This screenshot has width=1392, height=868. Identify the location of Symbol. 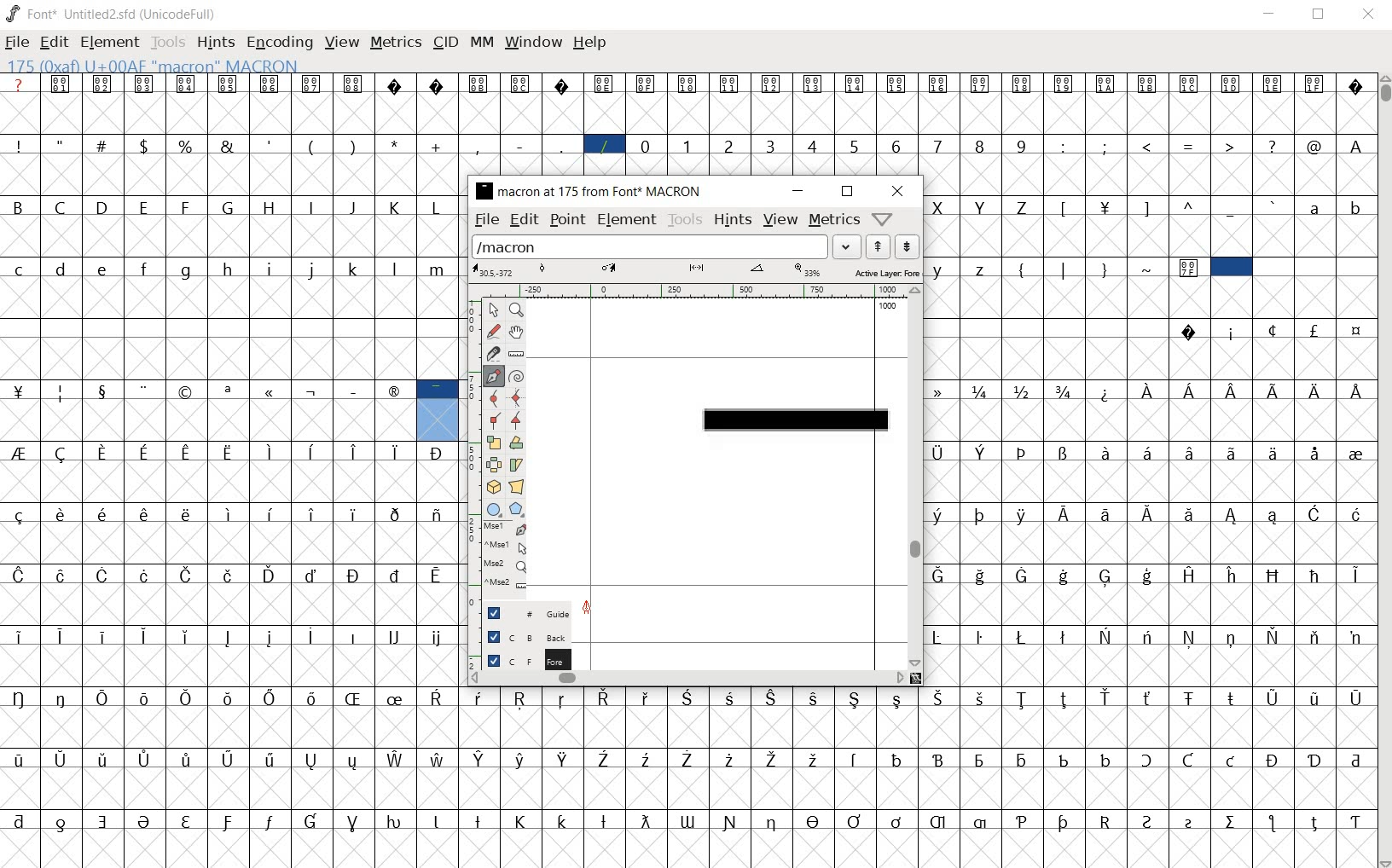
(858, 84).